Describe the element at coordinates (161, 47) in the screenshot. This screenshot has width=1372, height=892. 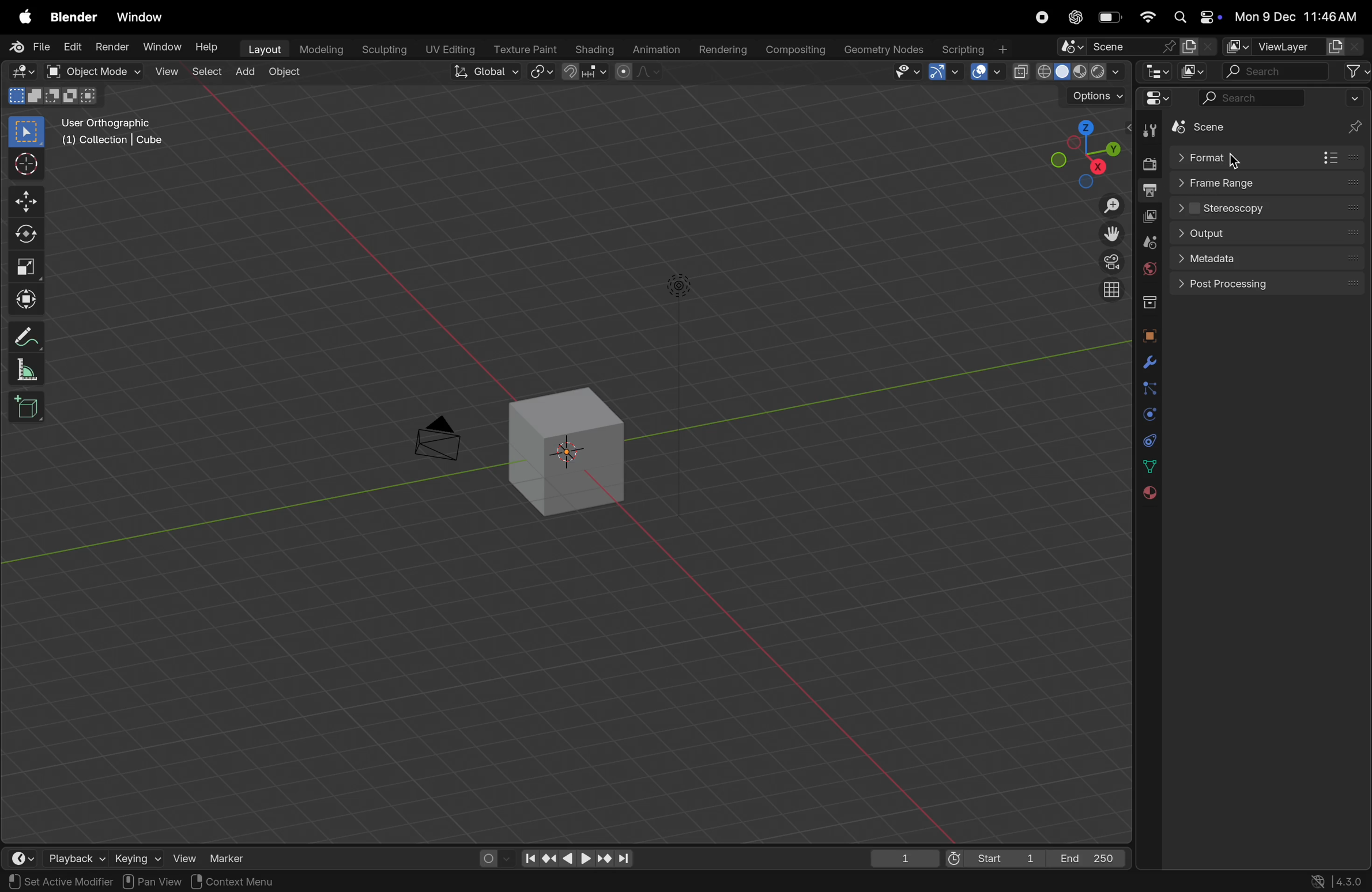
I see `Window` at that location.